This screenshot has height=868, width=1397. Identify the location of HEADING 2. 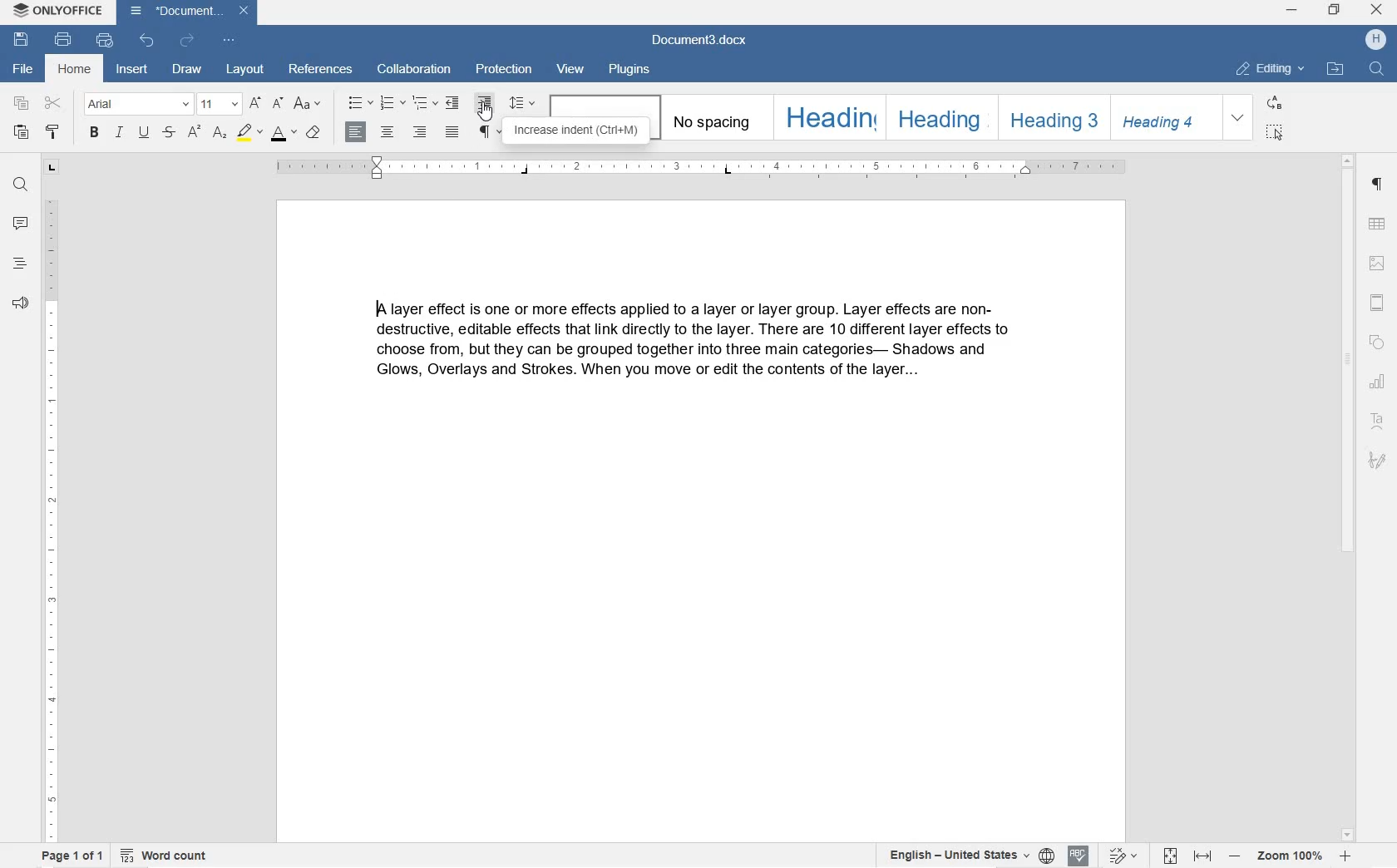
(940, 118).